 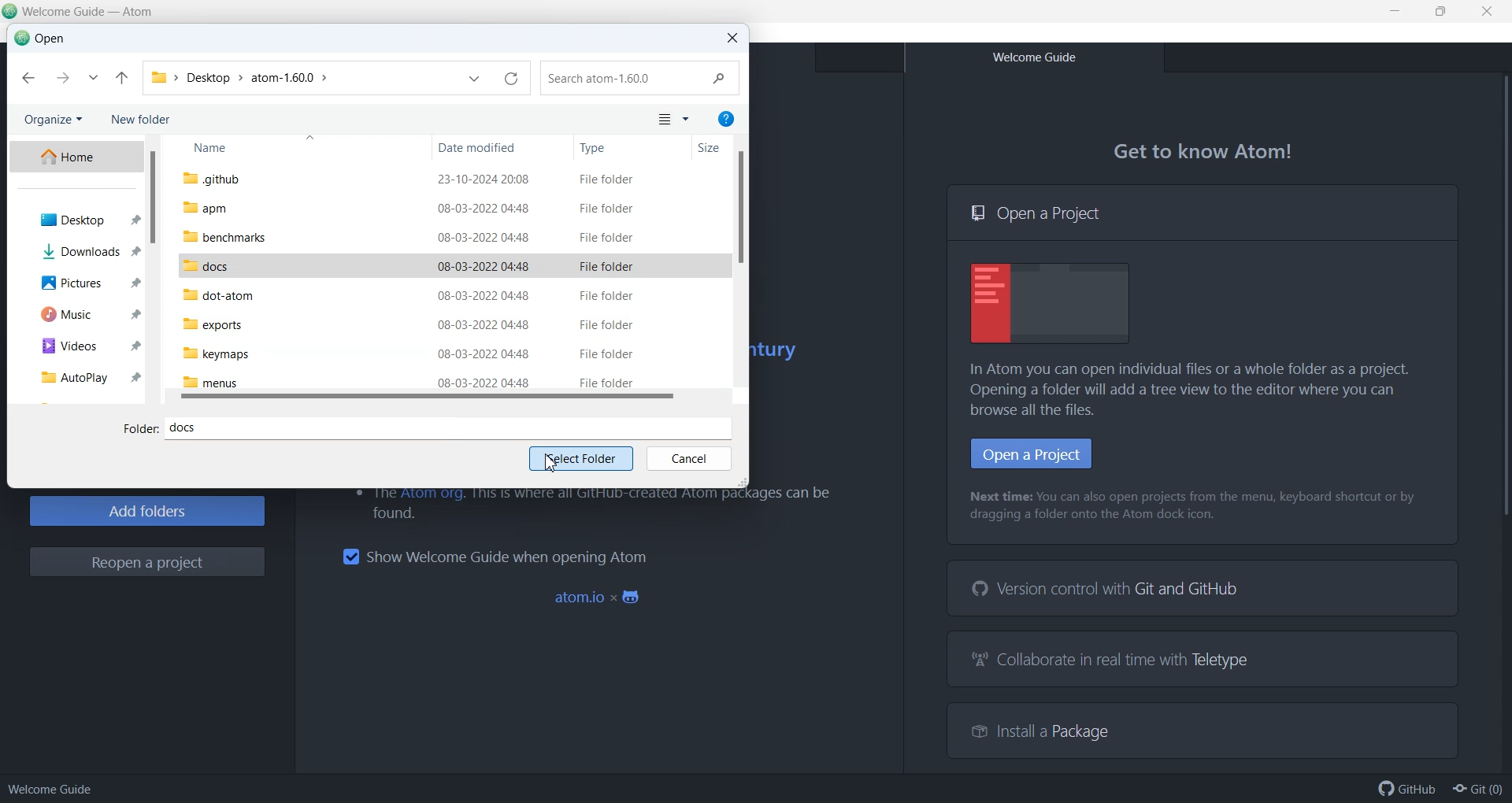 What do you see at coordinates (607, 268) in the screenshot?
I see `File Folder` at bounding box center [607, 268].